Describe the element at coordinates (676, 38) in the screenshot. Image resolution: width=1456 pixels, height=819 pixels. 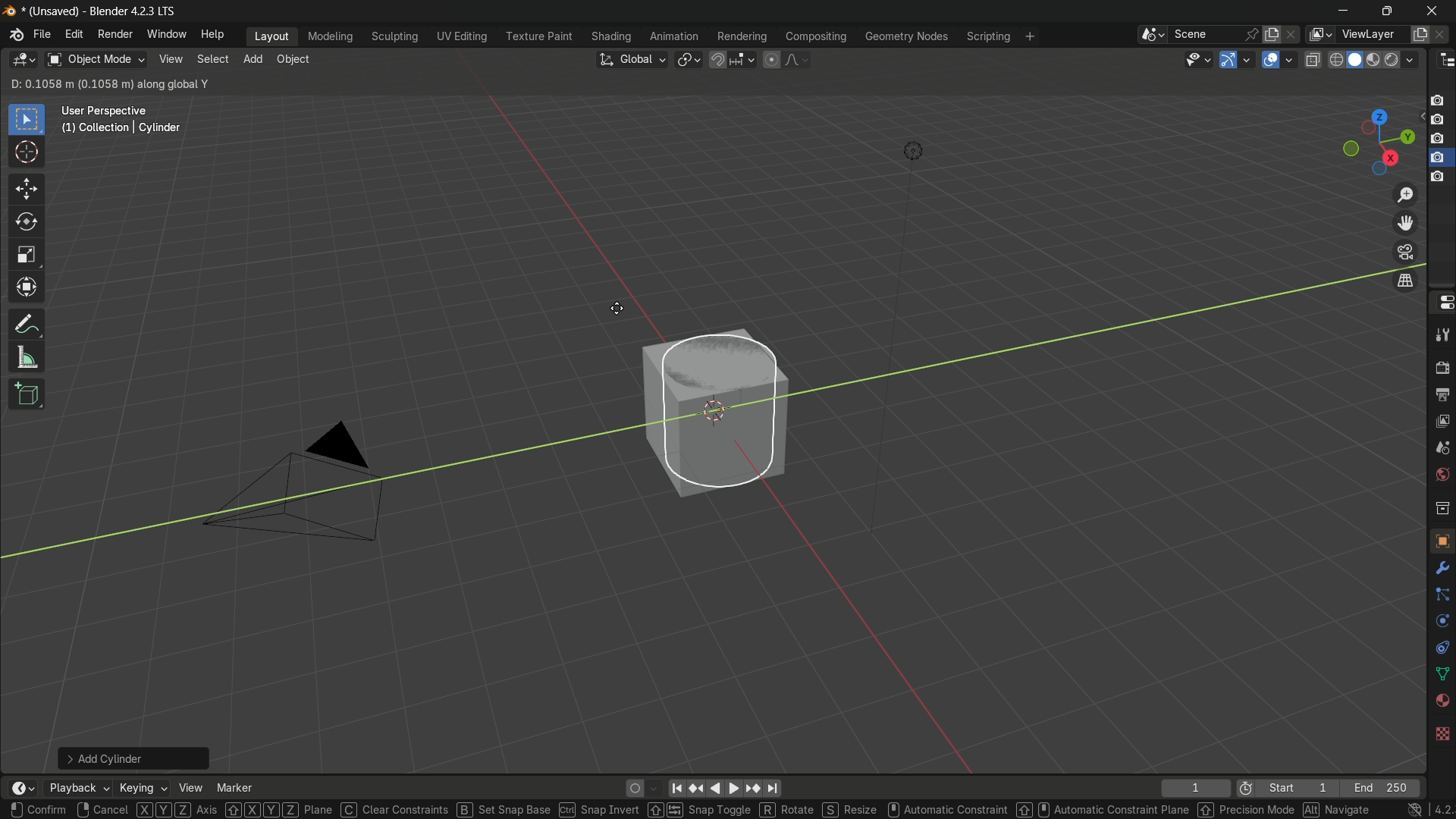
I see `animation menu` at that location.